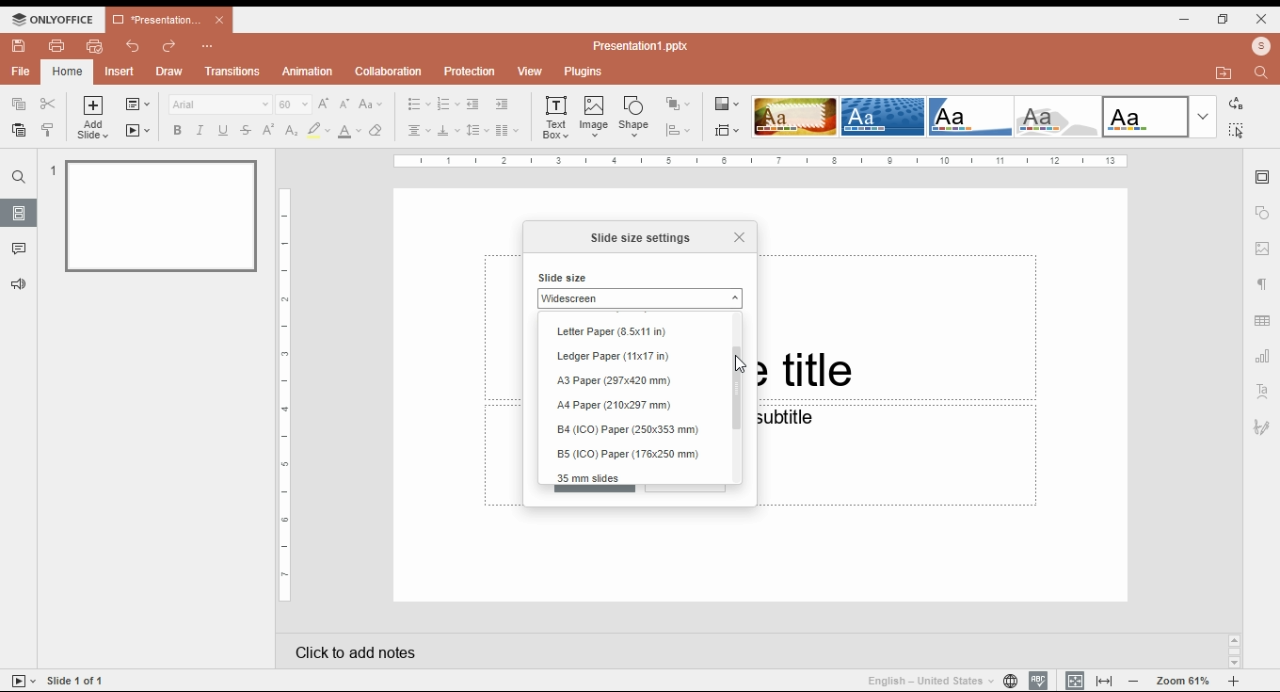 The image size is (1280, 692). I want to click on Page Scale, so click(761, 161).